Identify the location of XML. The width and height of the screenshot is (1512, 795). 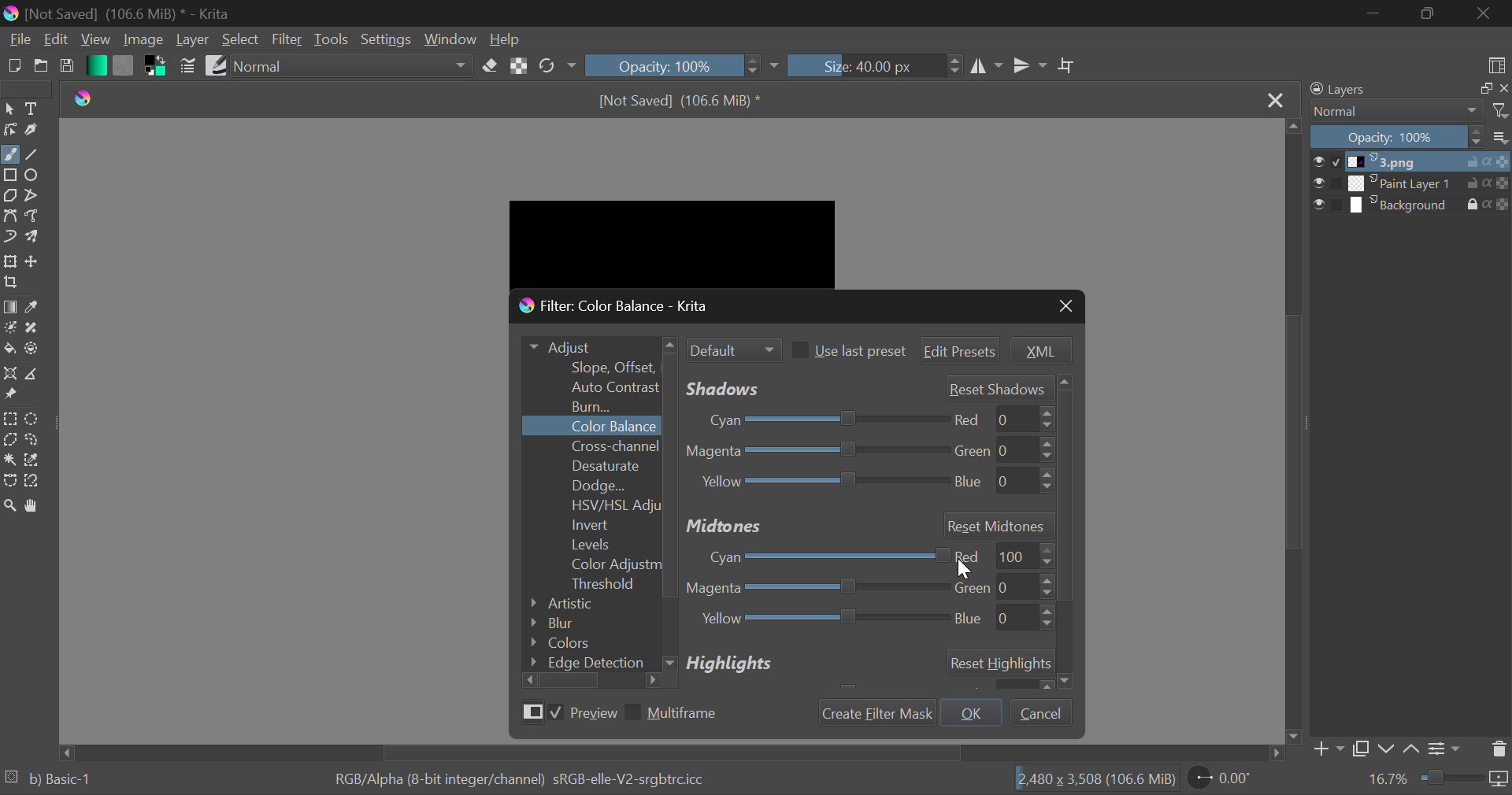
(1039, 349).